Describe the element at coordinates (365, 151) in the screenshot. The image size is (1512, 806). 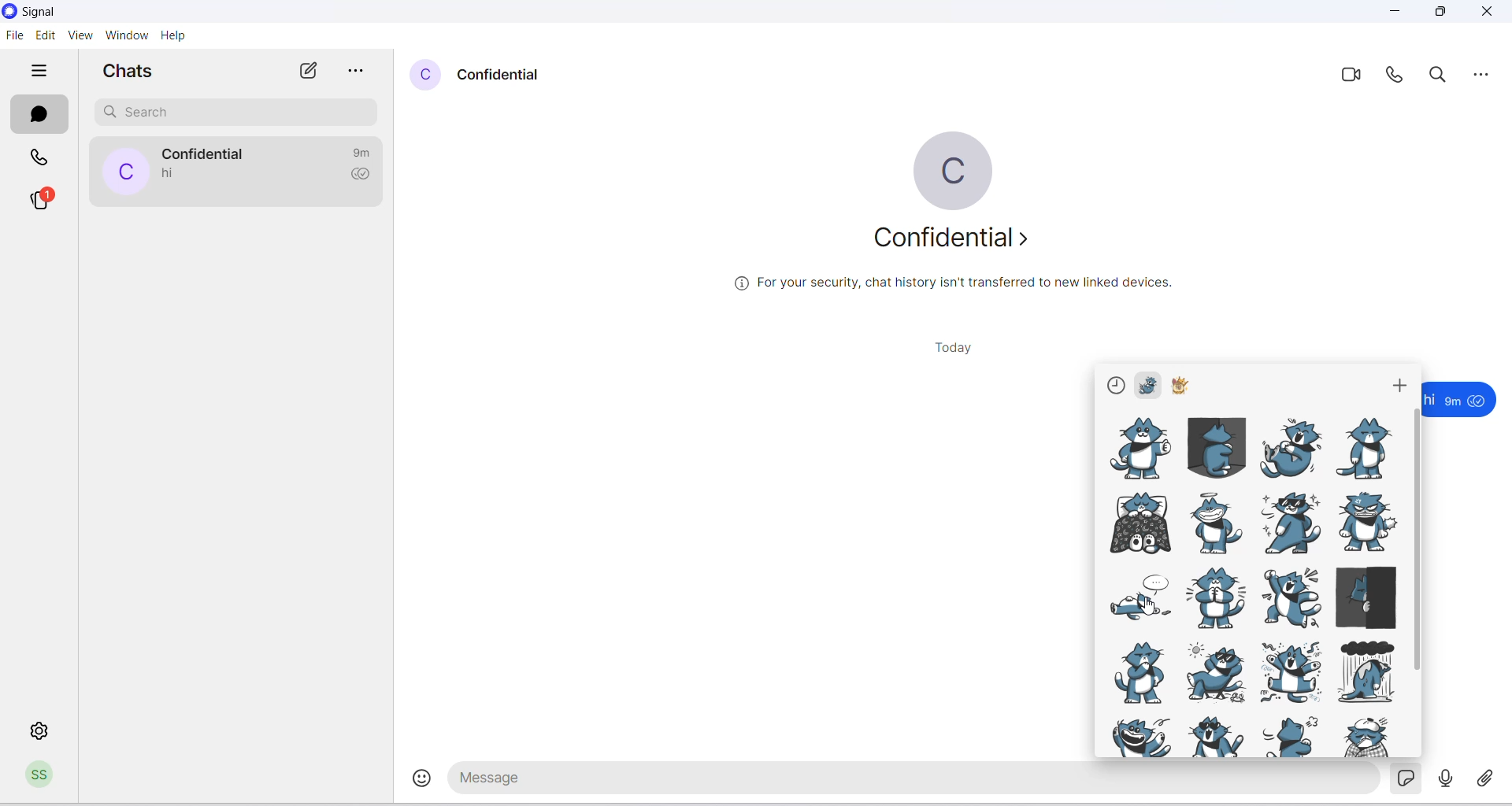
I see `last message time` at that location.